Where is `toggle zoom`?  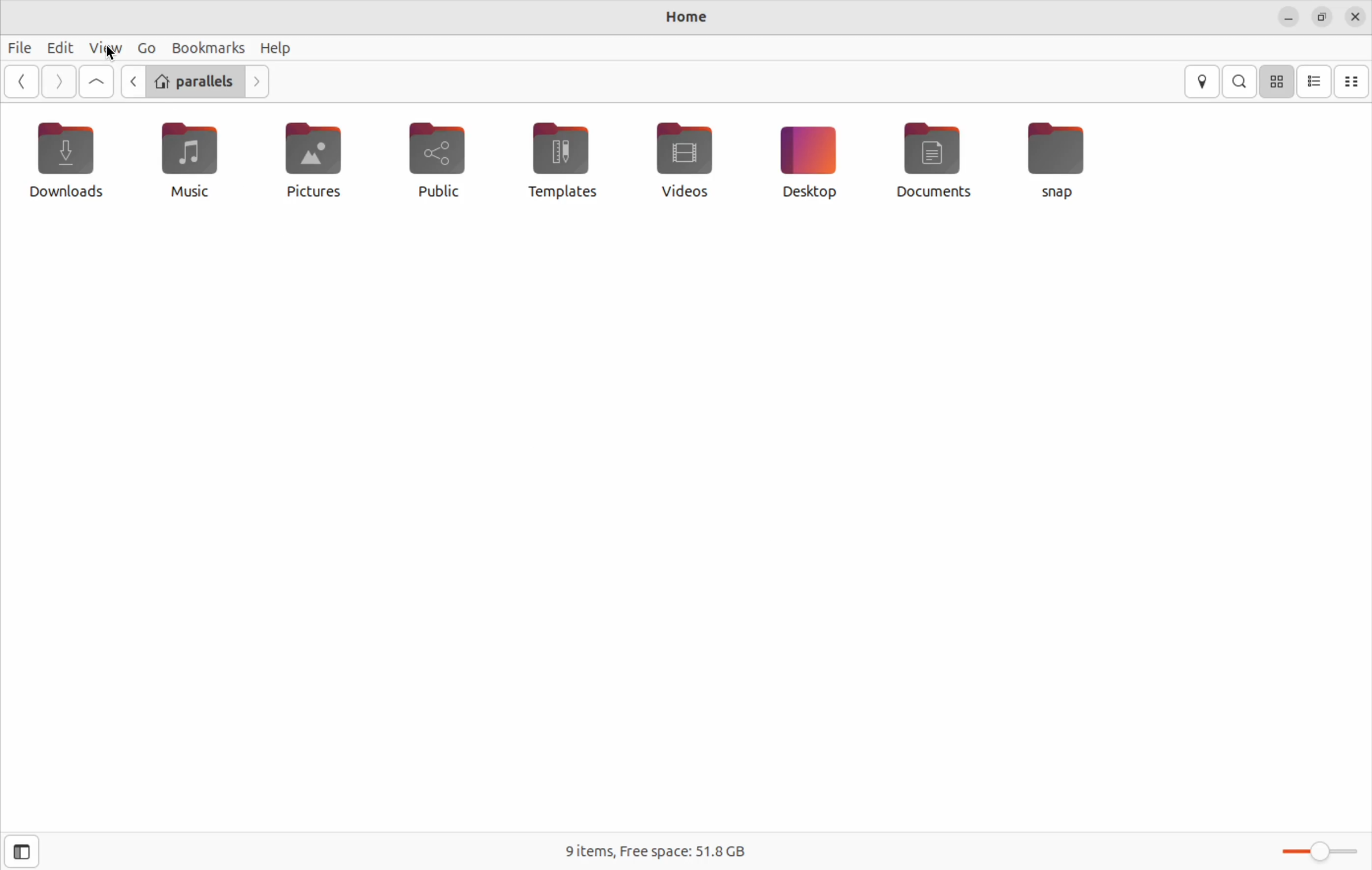
toggle zoom is located at coordinates (1316, 852).